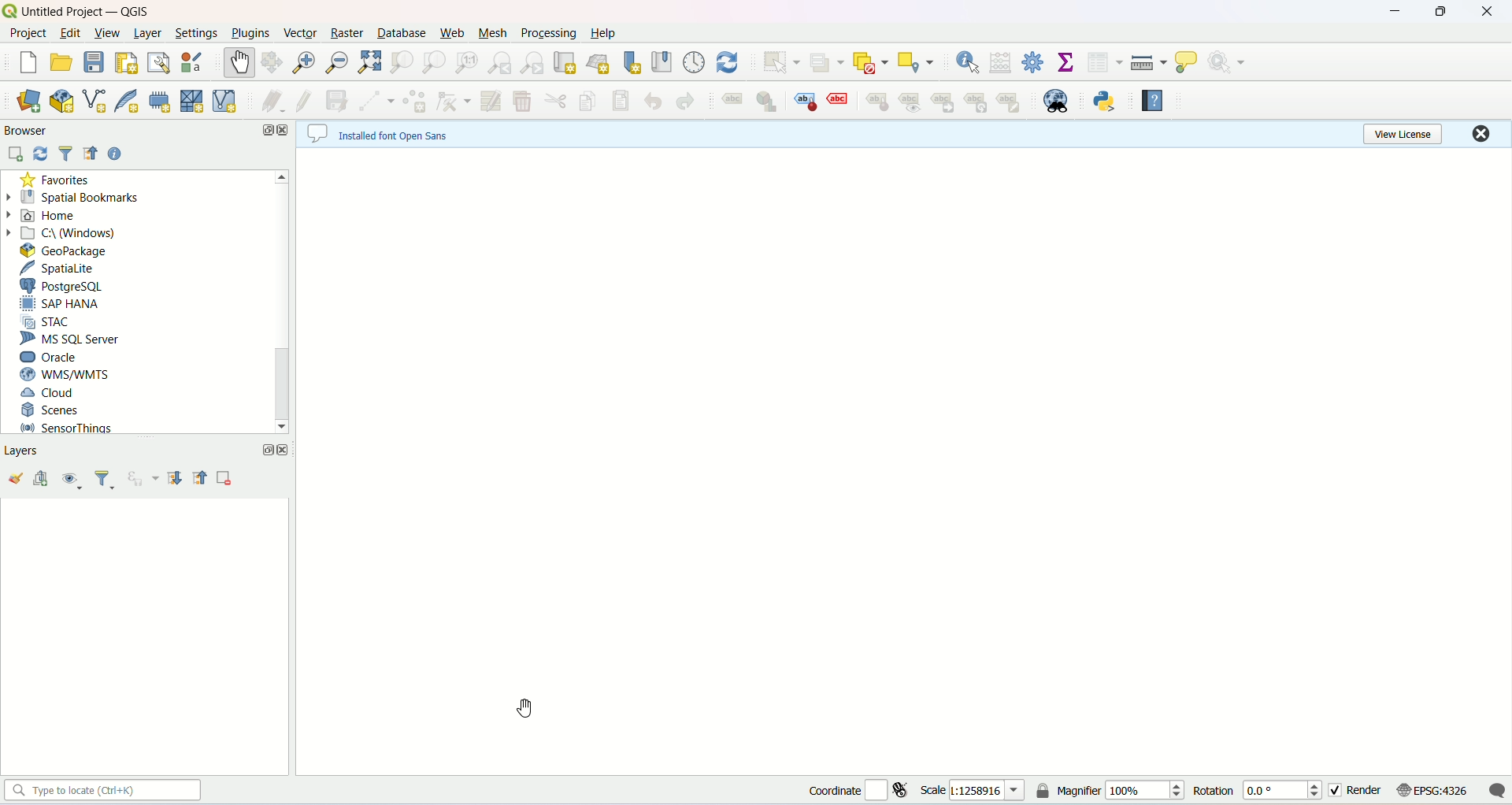 Image resolution: width=1512 pixels, height=805 pixels. I want to click on rotate label, so click(976, 102).